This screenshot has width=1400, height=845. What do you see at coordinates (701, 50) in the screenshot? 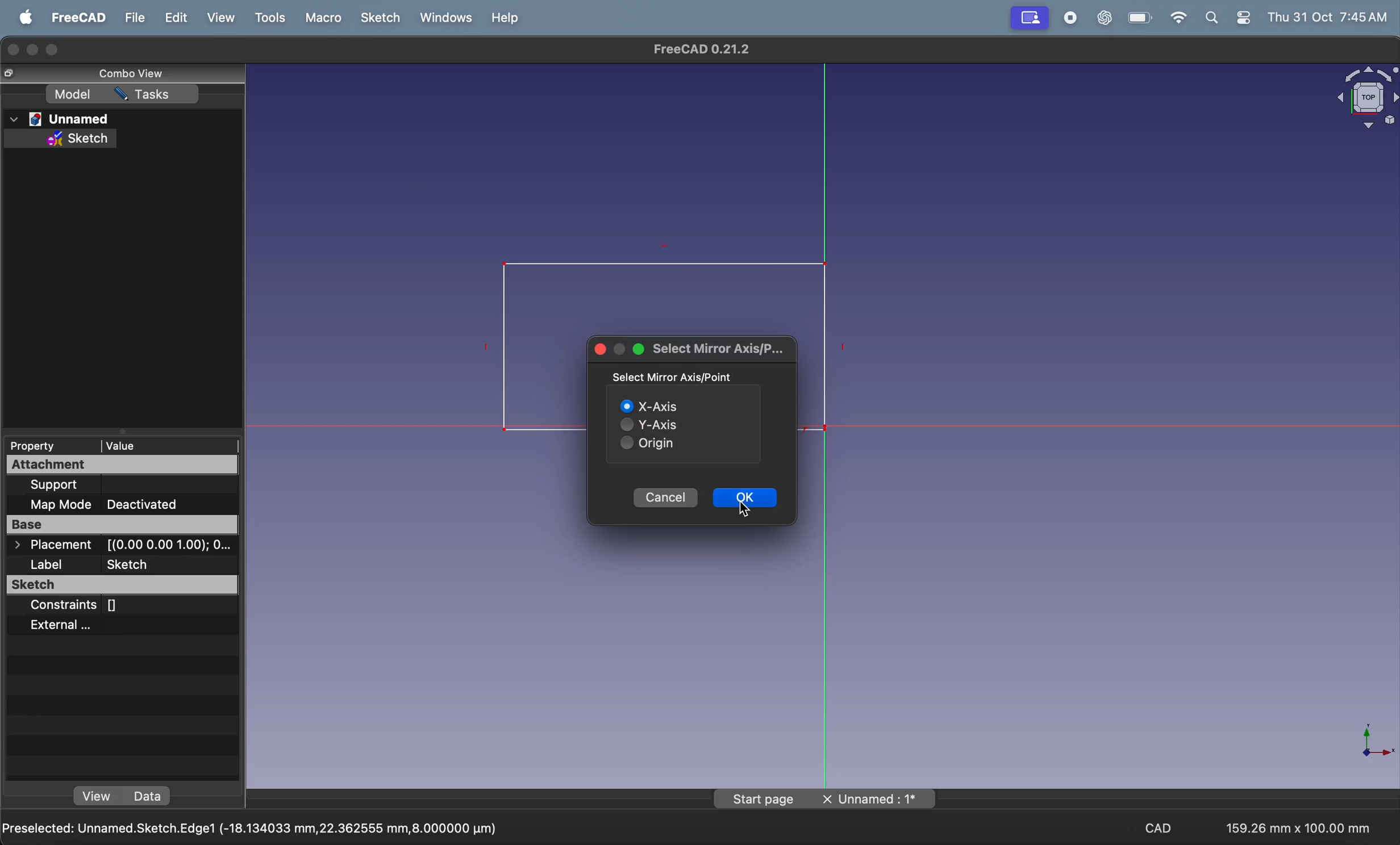
I see `freecad title` at bounding box center [701, 50].